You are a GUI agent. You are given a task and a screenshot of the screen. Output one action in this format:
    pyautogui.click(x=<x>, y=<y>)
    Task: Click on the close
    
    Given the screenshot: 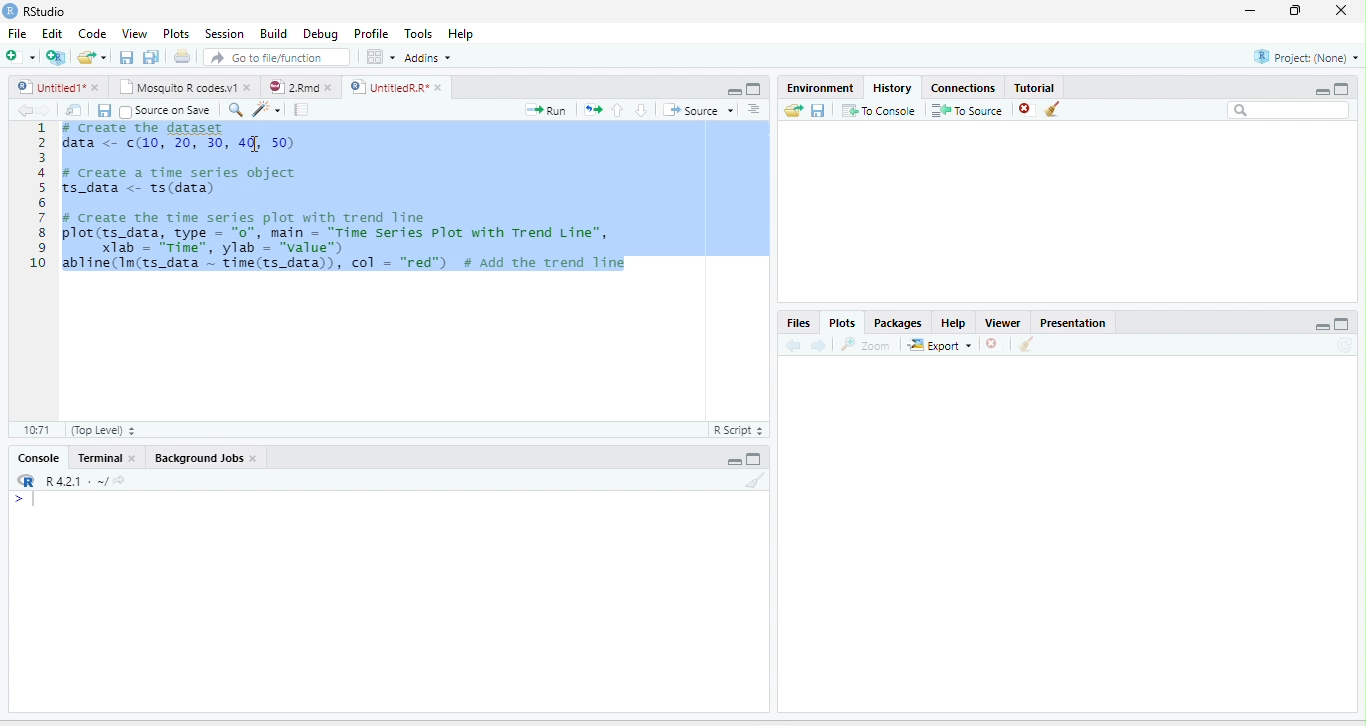 What is the action you would take?
    pyautogui.click(x=95, y=87)
    